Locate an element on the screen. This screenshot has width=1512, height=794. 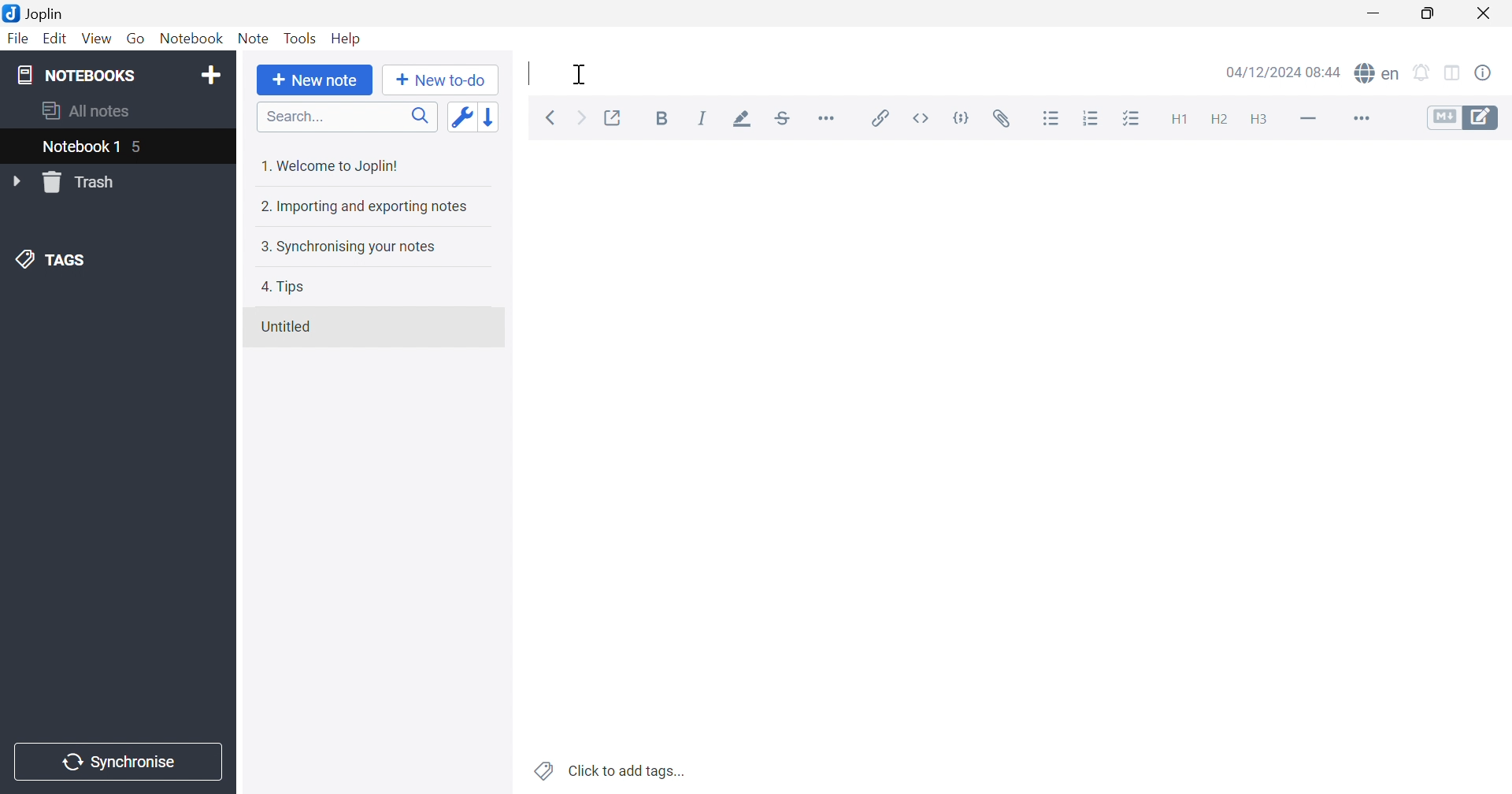
Note is located at coordinates (254, 39).